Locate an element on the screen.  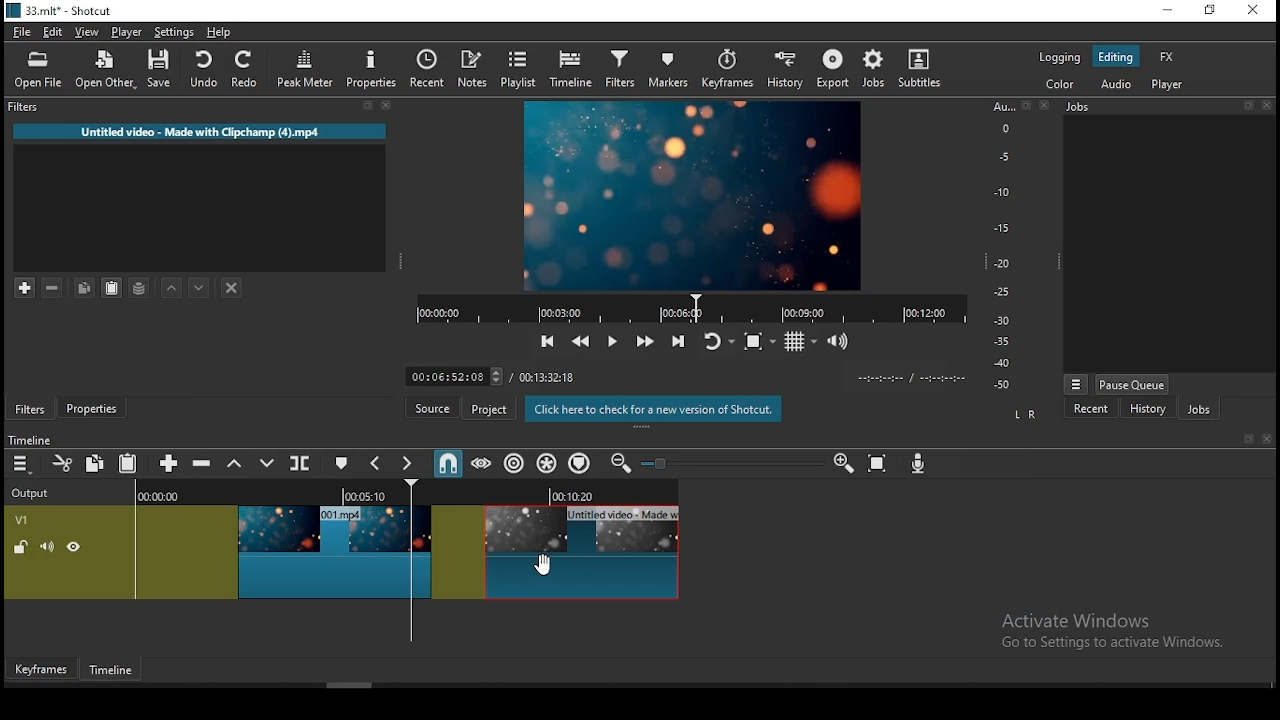
recent is located at coordinates (424, 69).